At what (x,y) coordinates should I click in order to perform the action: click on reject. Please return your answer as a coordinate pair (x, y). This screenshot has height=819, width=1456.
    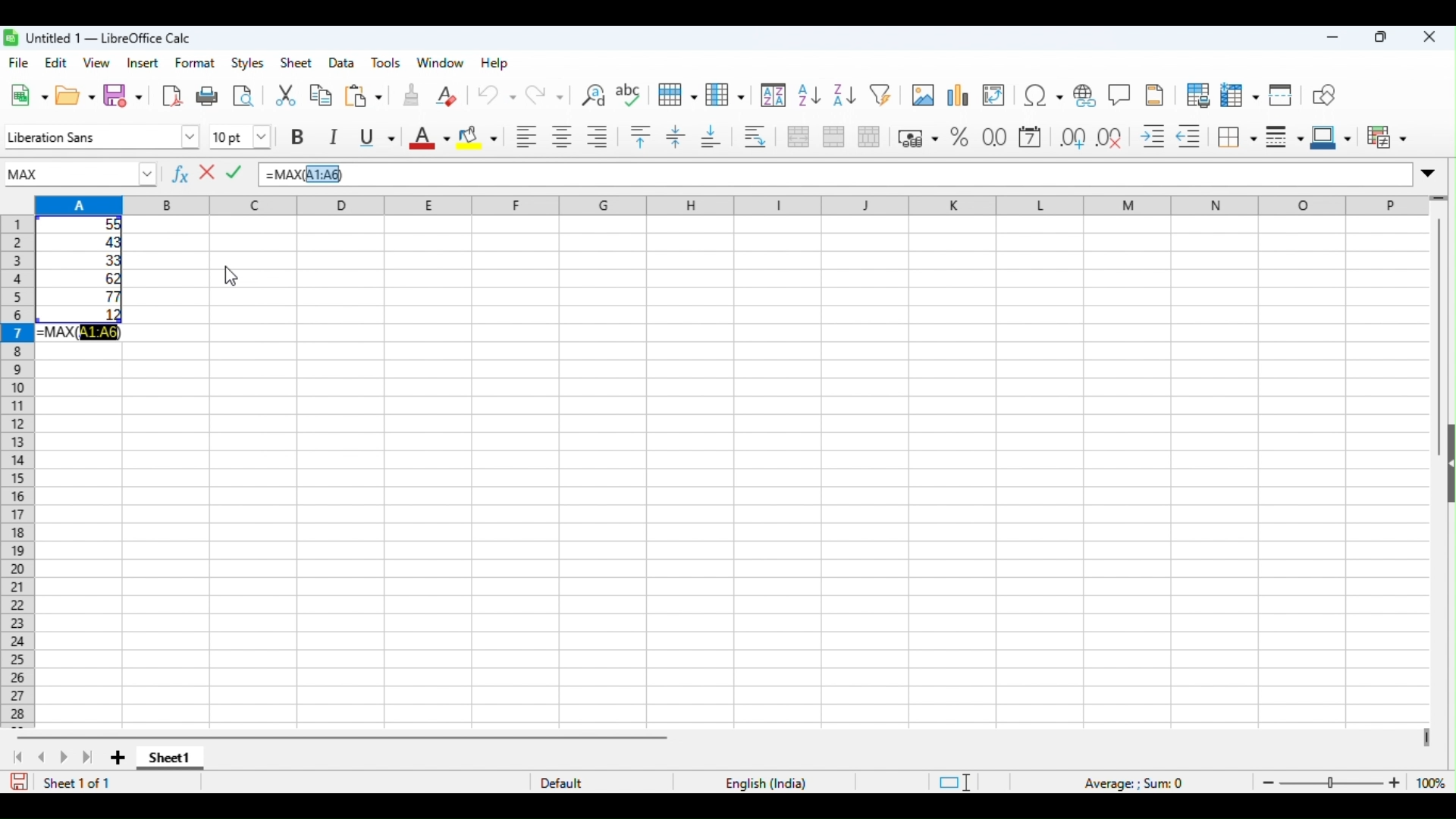
    Looking at the image, I should click on (206, 172).